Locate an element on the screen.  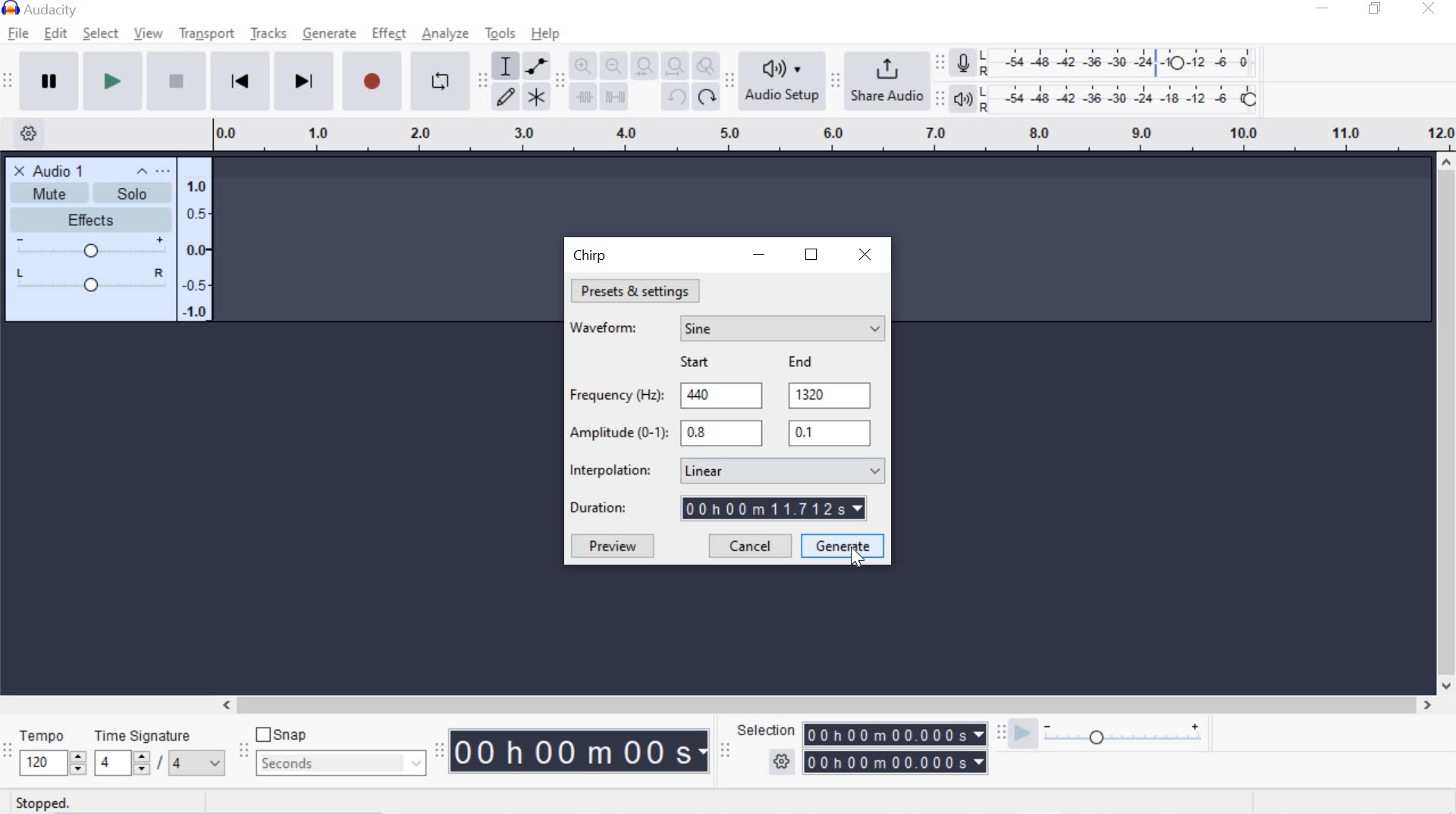
Frequency (Hz) is located at coordinates (616, 394).